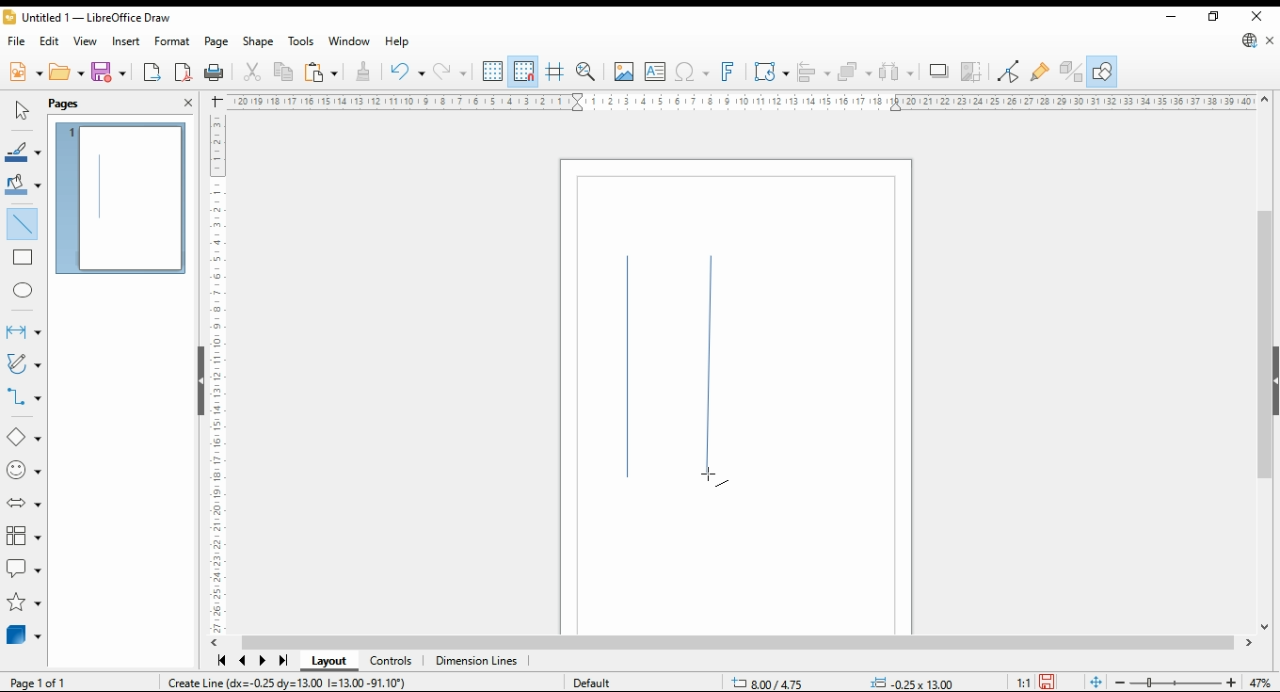 This screenshot has height=692, width=1280. Describe the element at coordinates (1248, 41) in the screenshot. I see `libreoffice update` at that location.